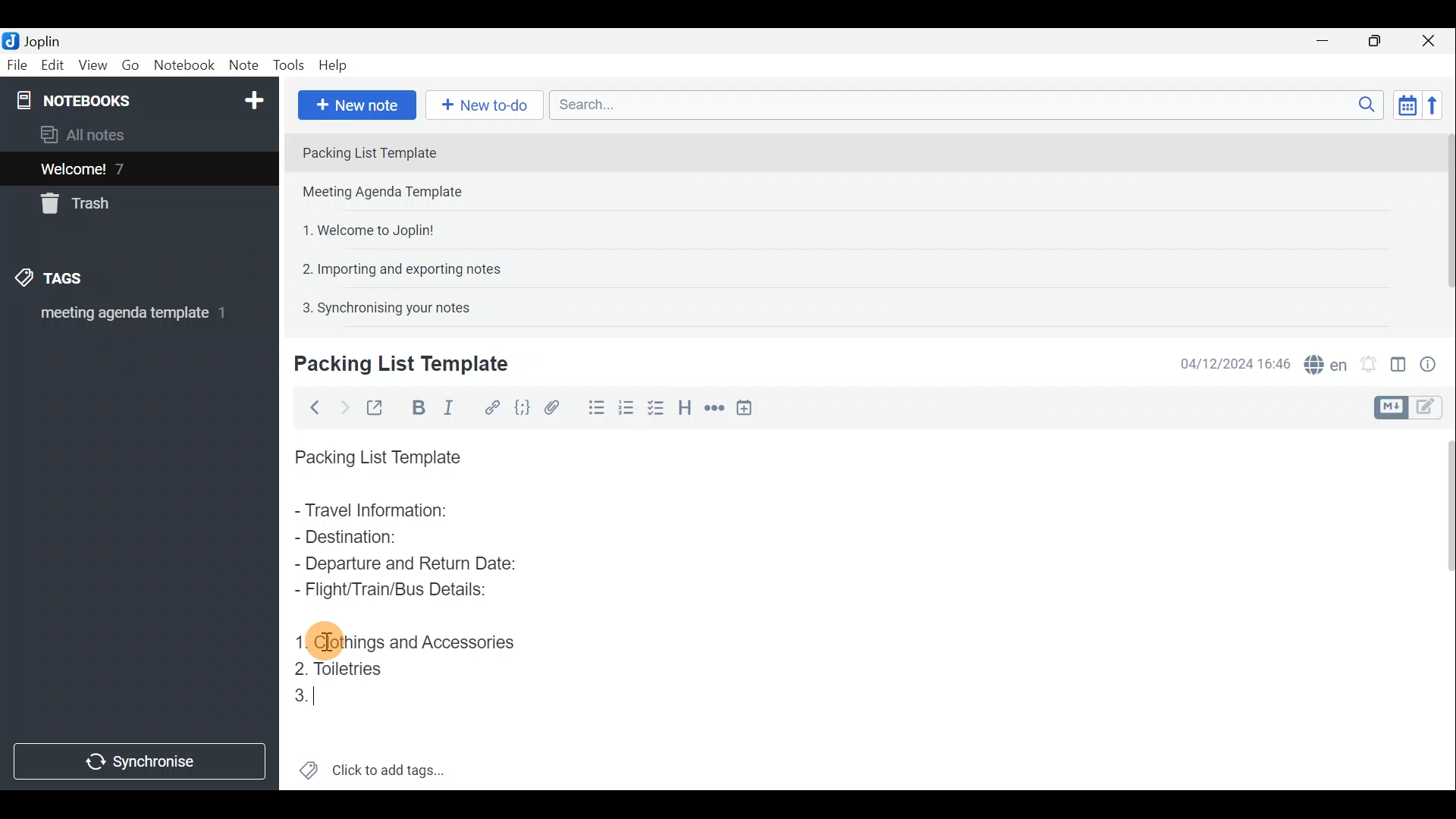 The image size is (1456, 819). What do you see at coordinates (552, 406) in the screenshot?
I see `Attach file` at bounding box center [552, 406].